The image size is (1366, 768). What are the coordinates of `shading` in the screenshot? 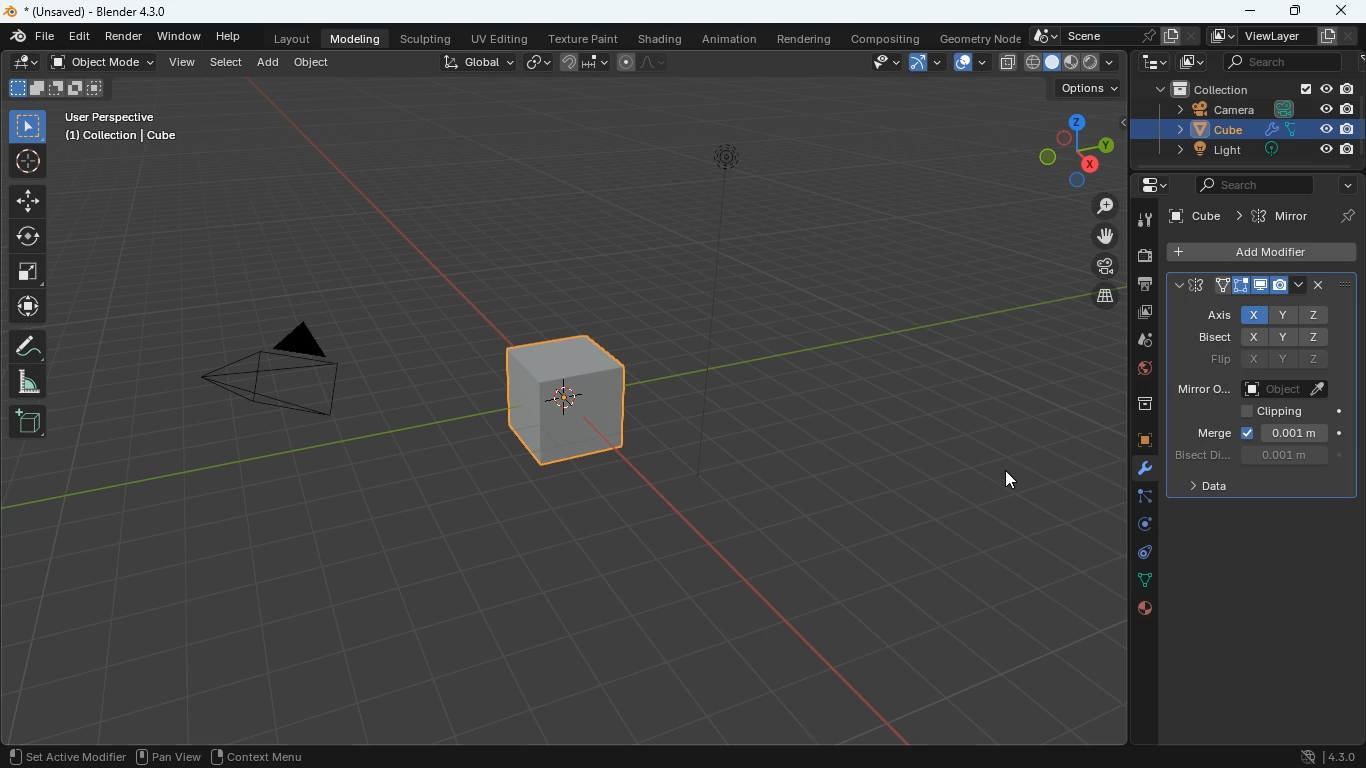 It's located at (660, 39).